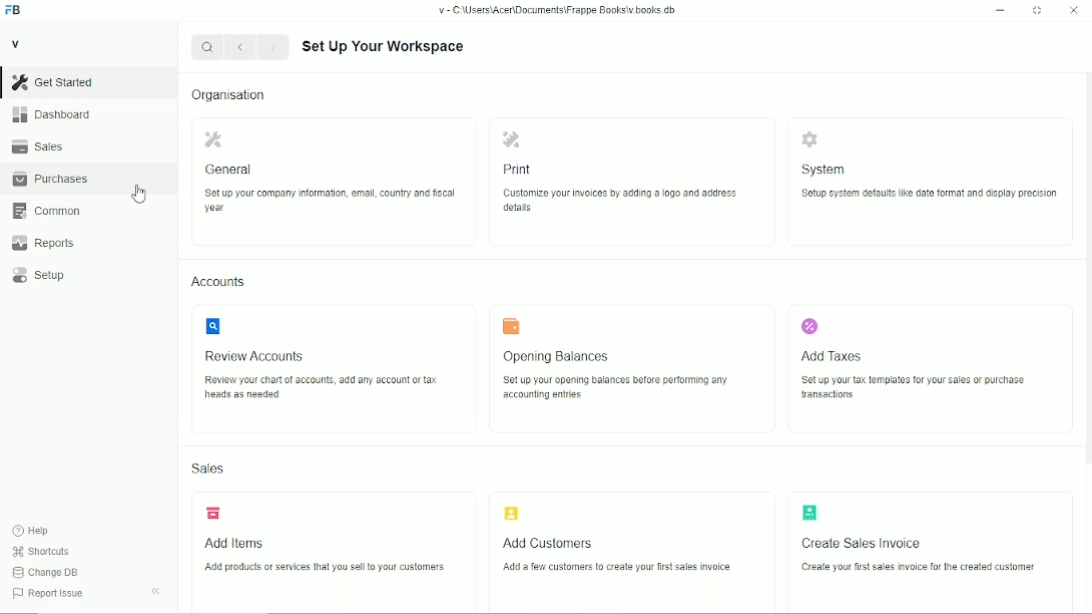 Image resolution: width=1092 pixels, height=614 pixels. What do you see at coordinates (334, 182) in the screenshot?
I see `General Set up your company information, email, country and fiscal year.` at bounding box center [334, 182].